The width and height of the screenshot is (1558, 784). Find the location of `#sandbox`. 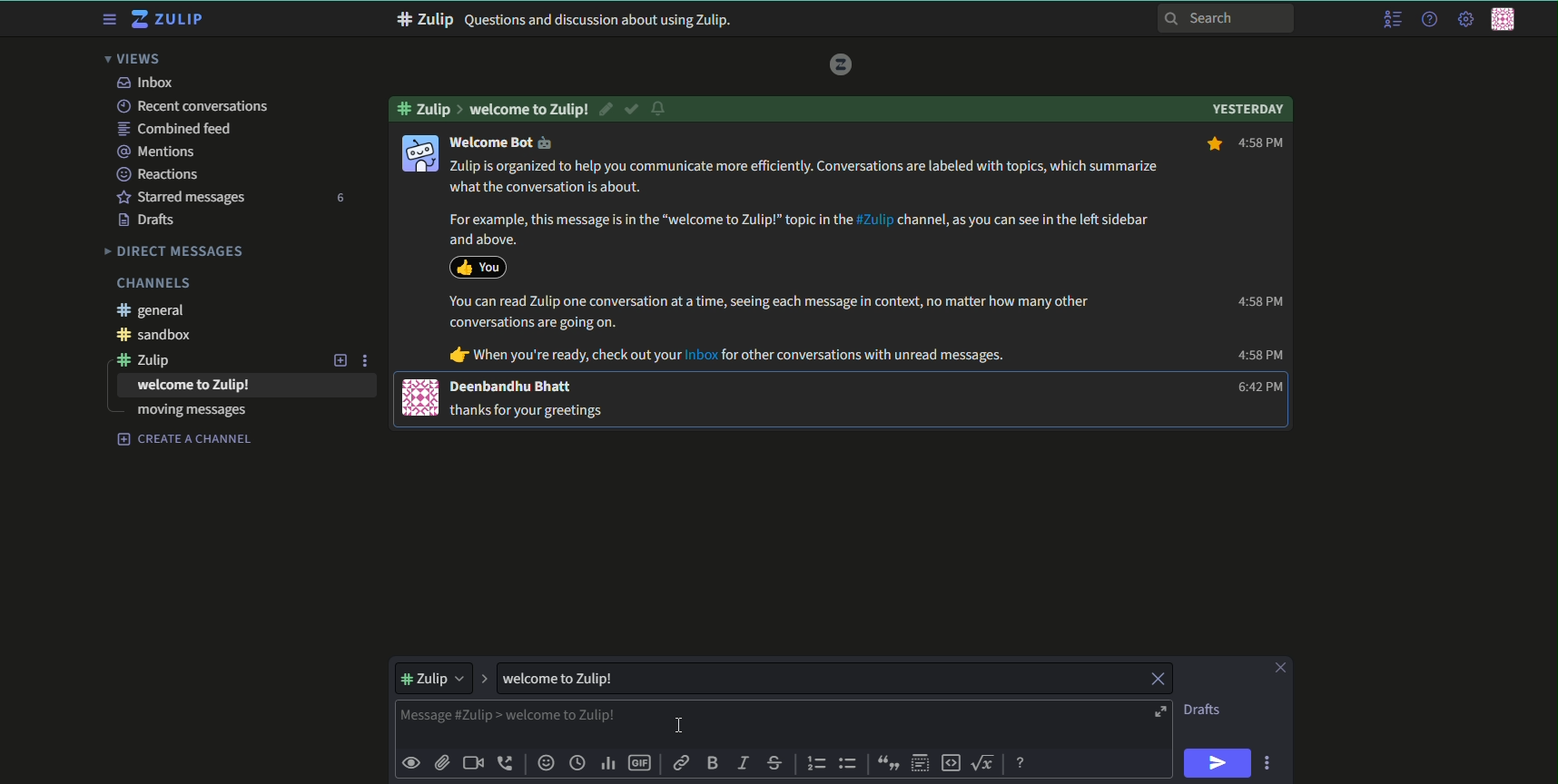

#sandbox is located at coordinates (161, 336).